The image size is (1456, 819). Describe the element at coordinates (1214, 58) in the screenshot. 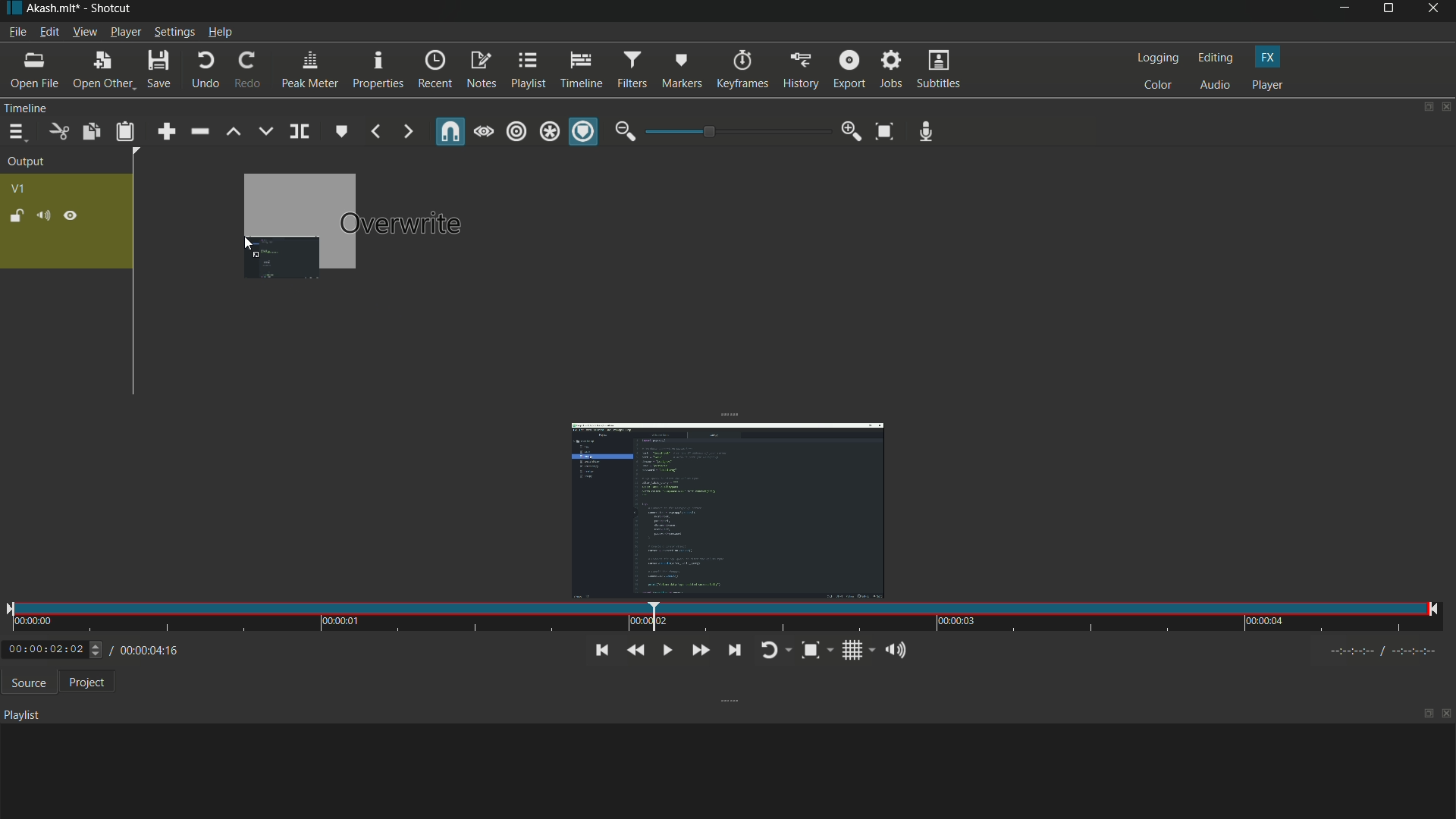

I see `editing` at that location.